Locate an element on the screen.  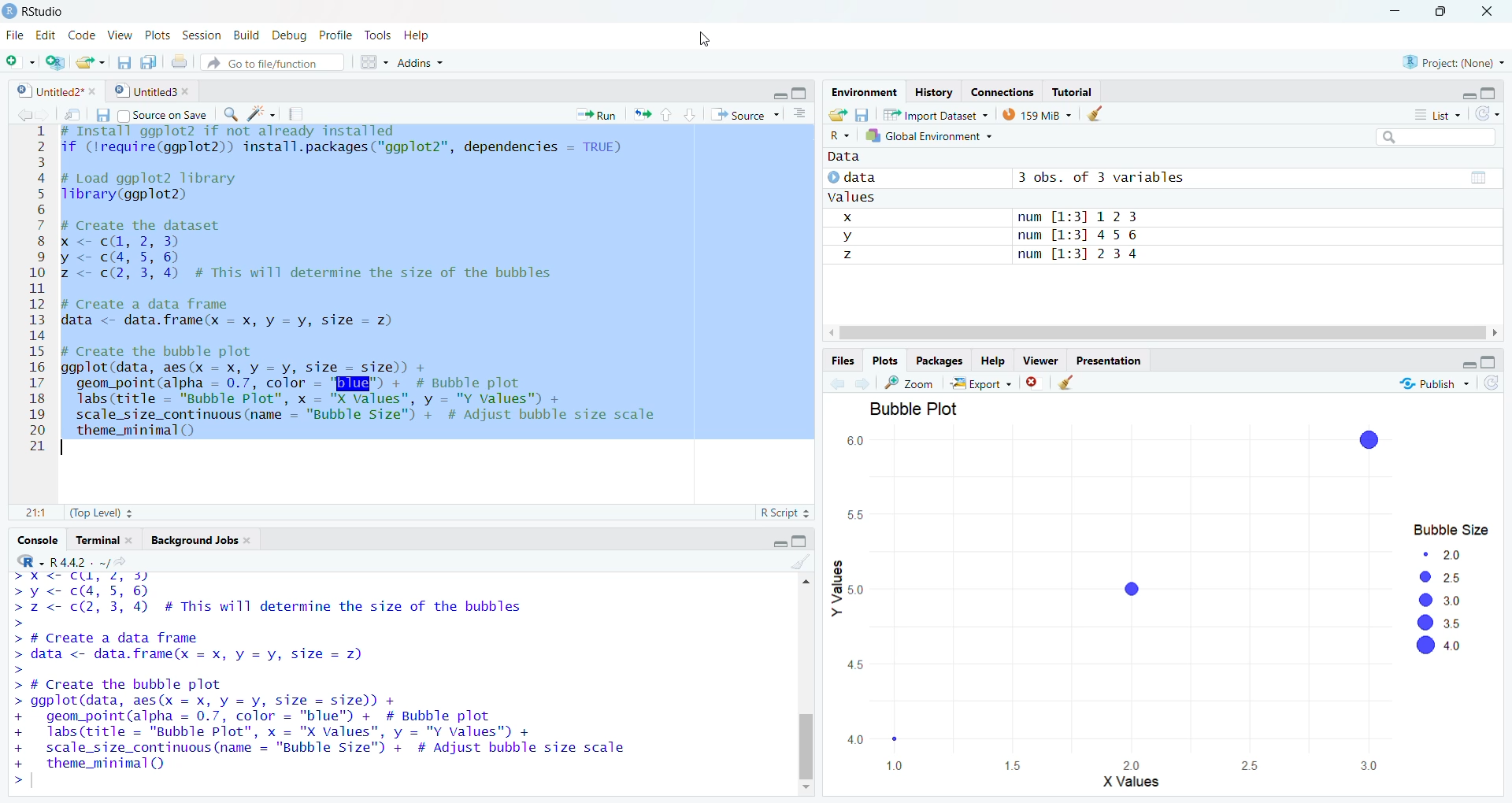
Maximise/minimise is located at coordinates (779, 540).